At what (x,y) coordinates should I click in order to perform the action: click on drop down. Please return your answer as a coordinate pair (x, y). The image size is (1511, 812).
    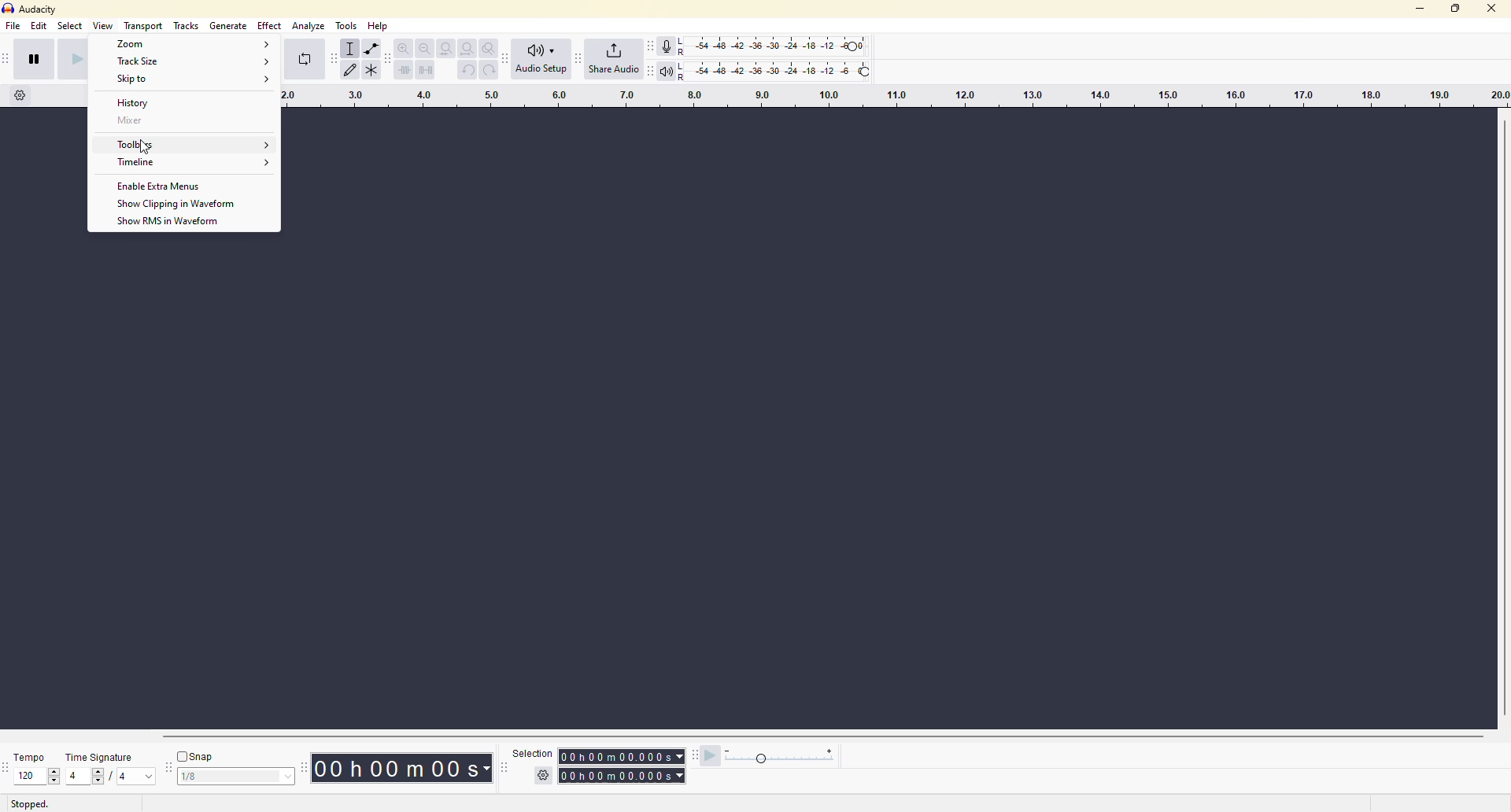
    Looking at the image, I should click on (289, 777).